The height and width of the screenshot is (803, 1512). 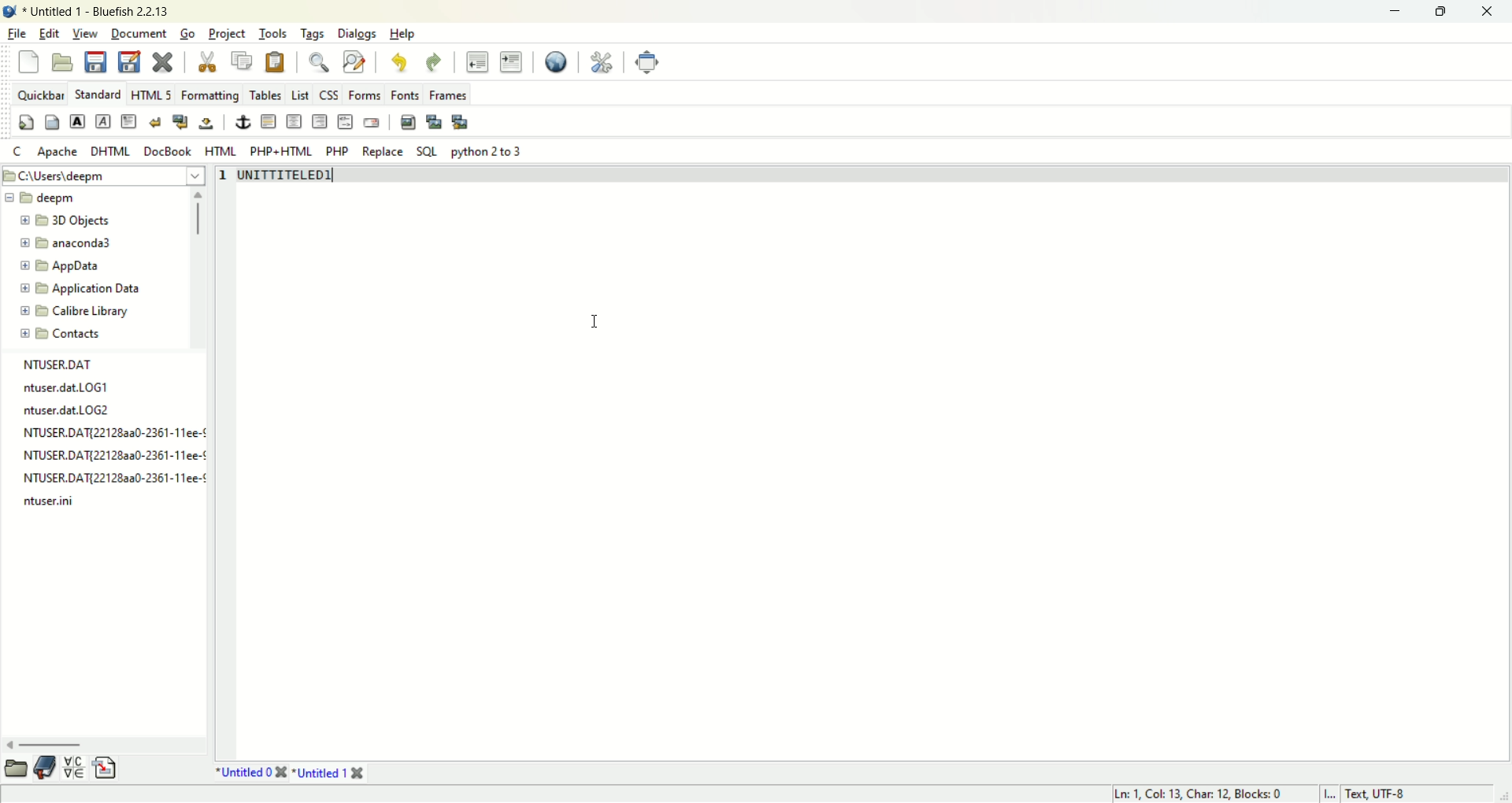 I want to click on DHTML, so click(x=109, y=150).